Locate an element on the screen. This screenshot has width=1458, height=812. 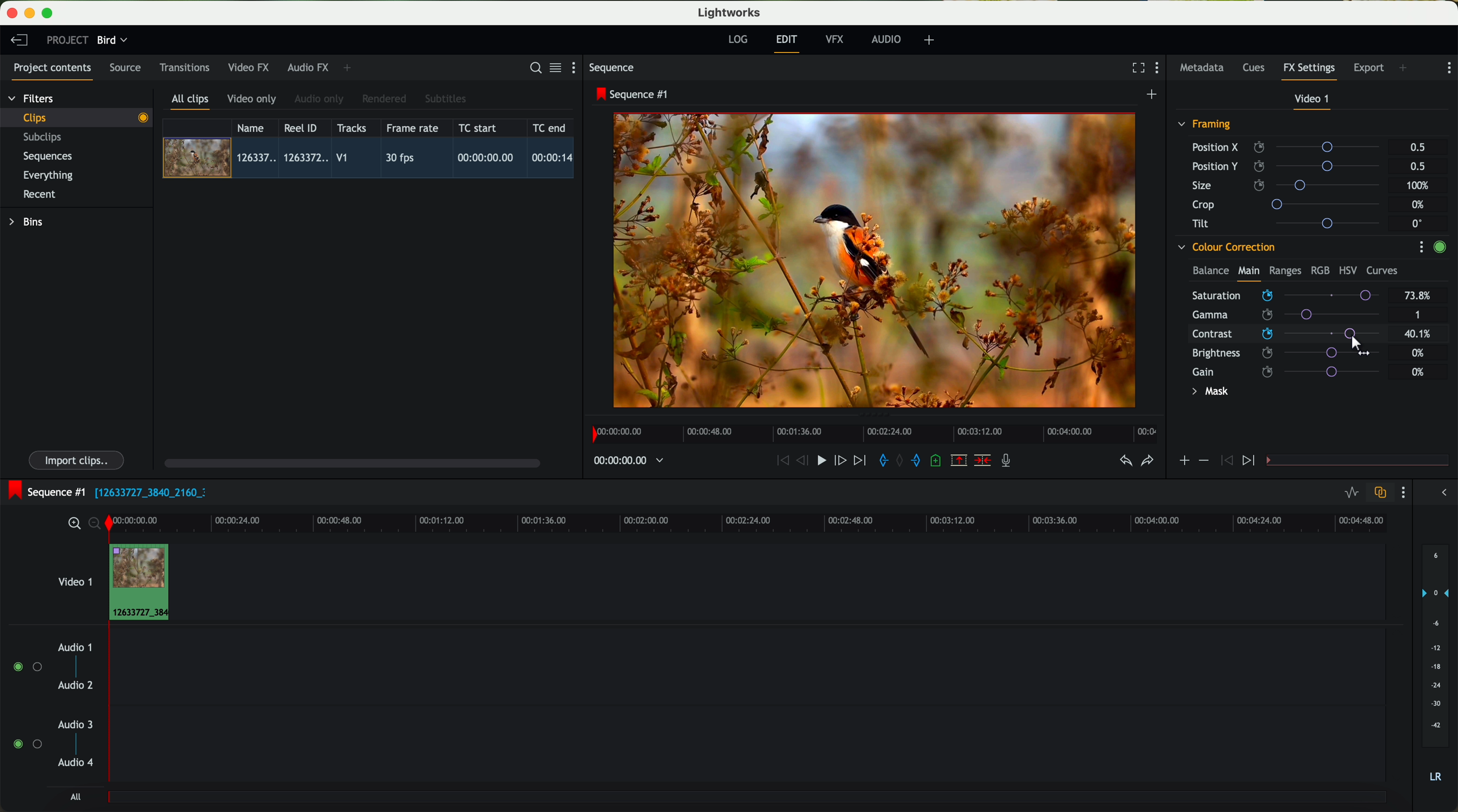
main is located at coordinates (1249, 273).